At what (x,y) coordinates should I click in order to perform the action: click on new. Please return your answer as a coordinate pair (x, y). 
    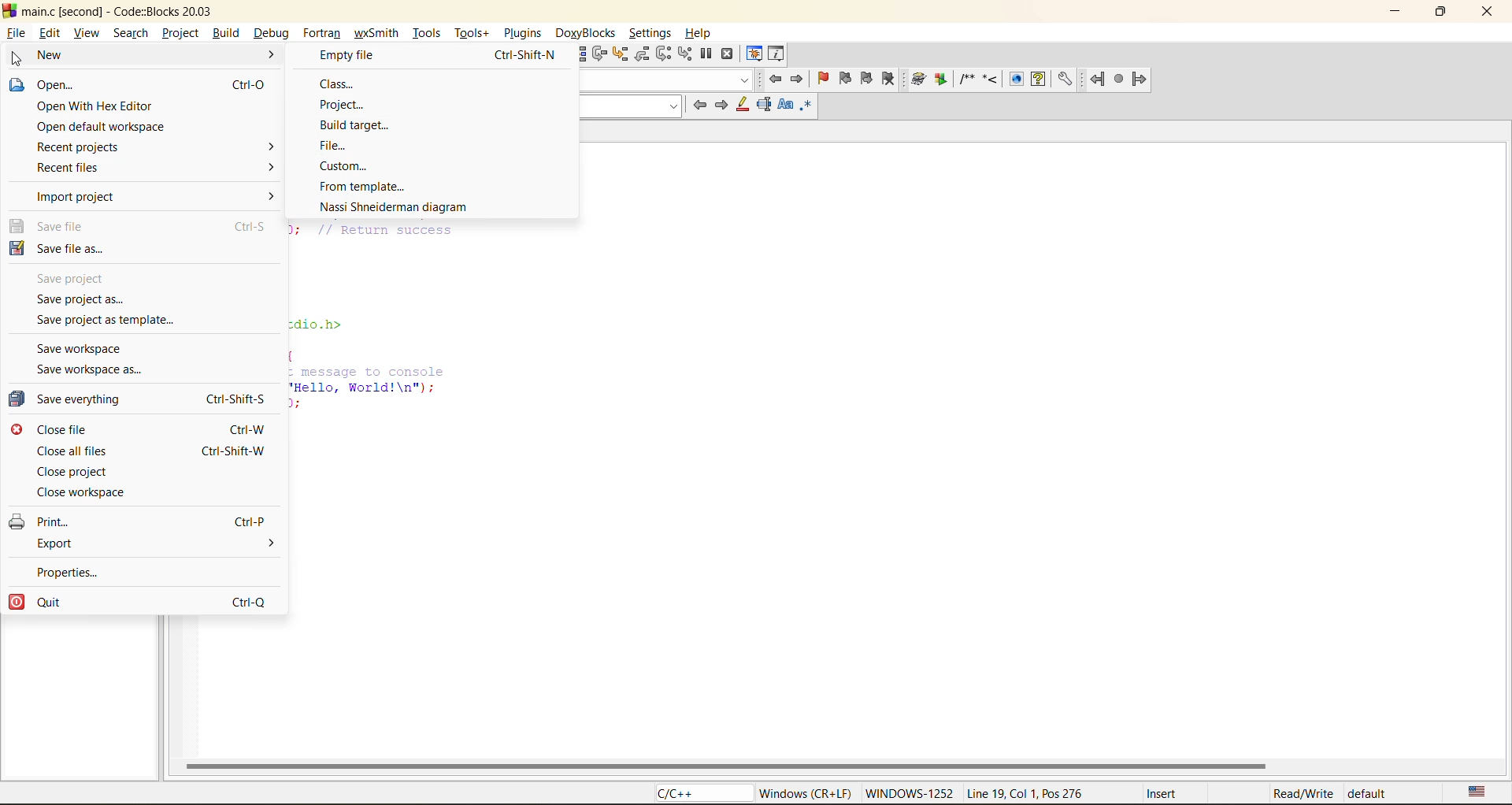
    Looking at the image, I should click on (61, 54).